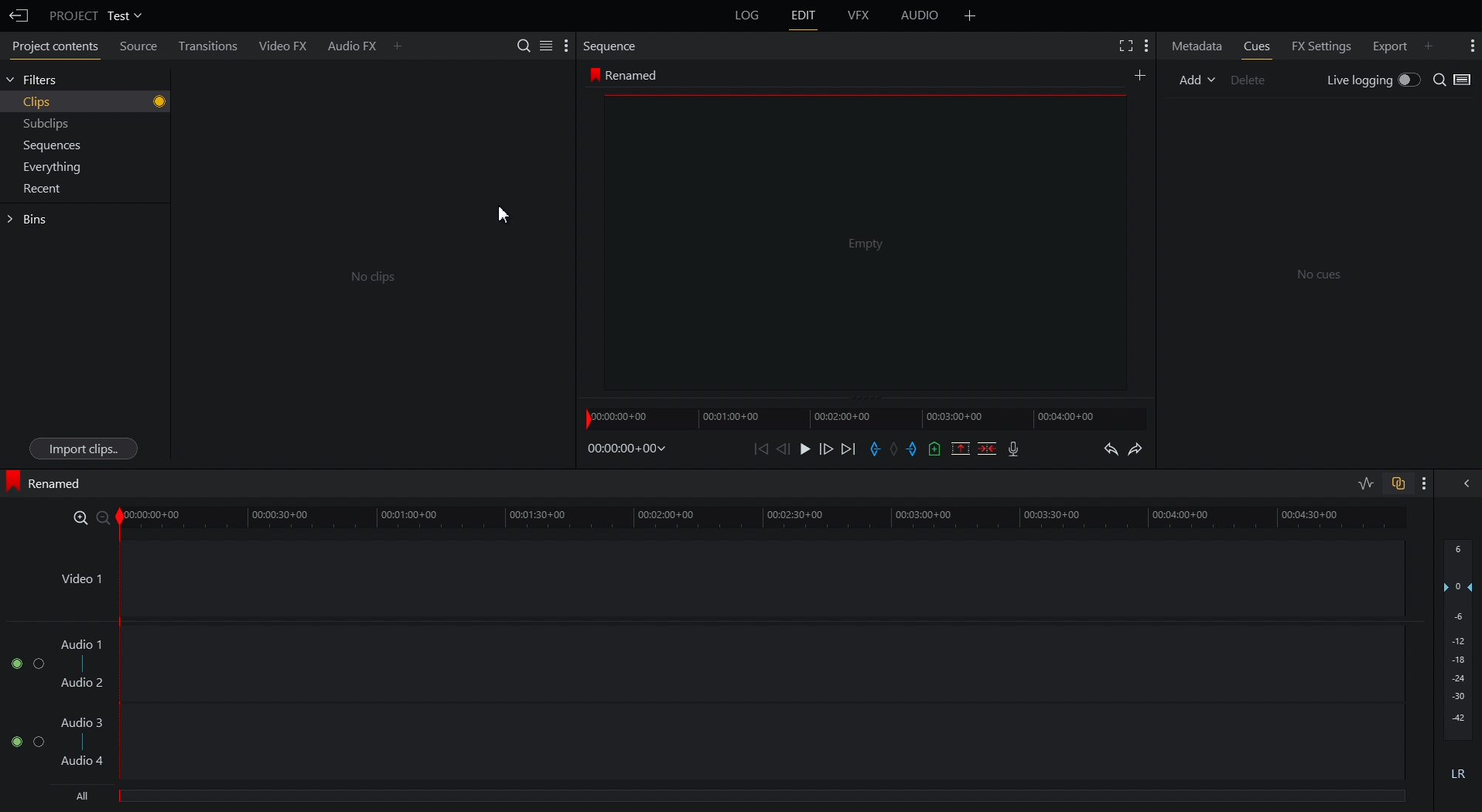 This screenshot has height=812, width=1482. Describe the element at coordinates (628, 76) in the screenshot. I see `Renamed` at that location.